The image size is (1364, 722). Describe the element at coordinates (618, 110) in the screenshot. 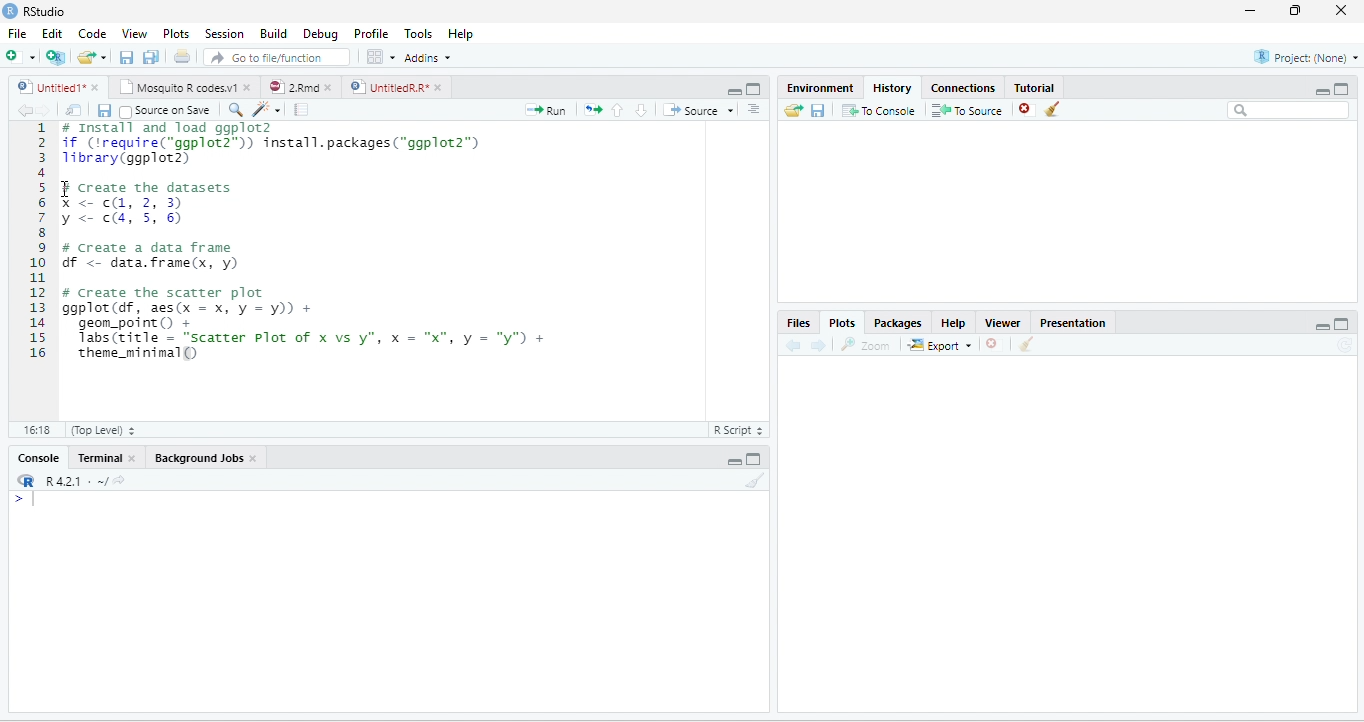

I see `Go to previous section/chunk` at that location.